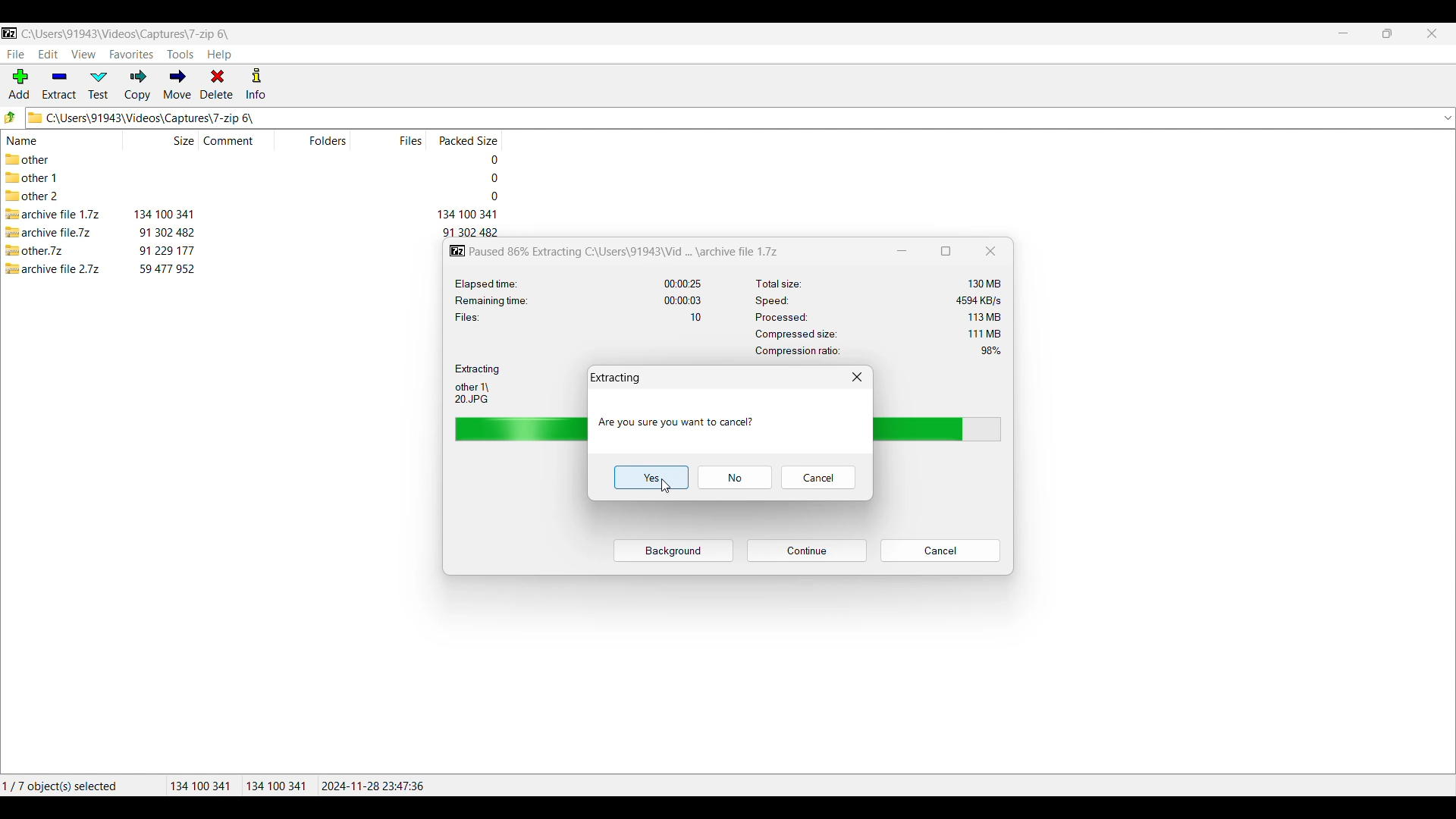  What do you see at coordinates (52, 215) in the screenshot?
I see `archive file 1.7z ` at bounding box center [52, 215].